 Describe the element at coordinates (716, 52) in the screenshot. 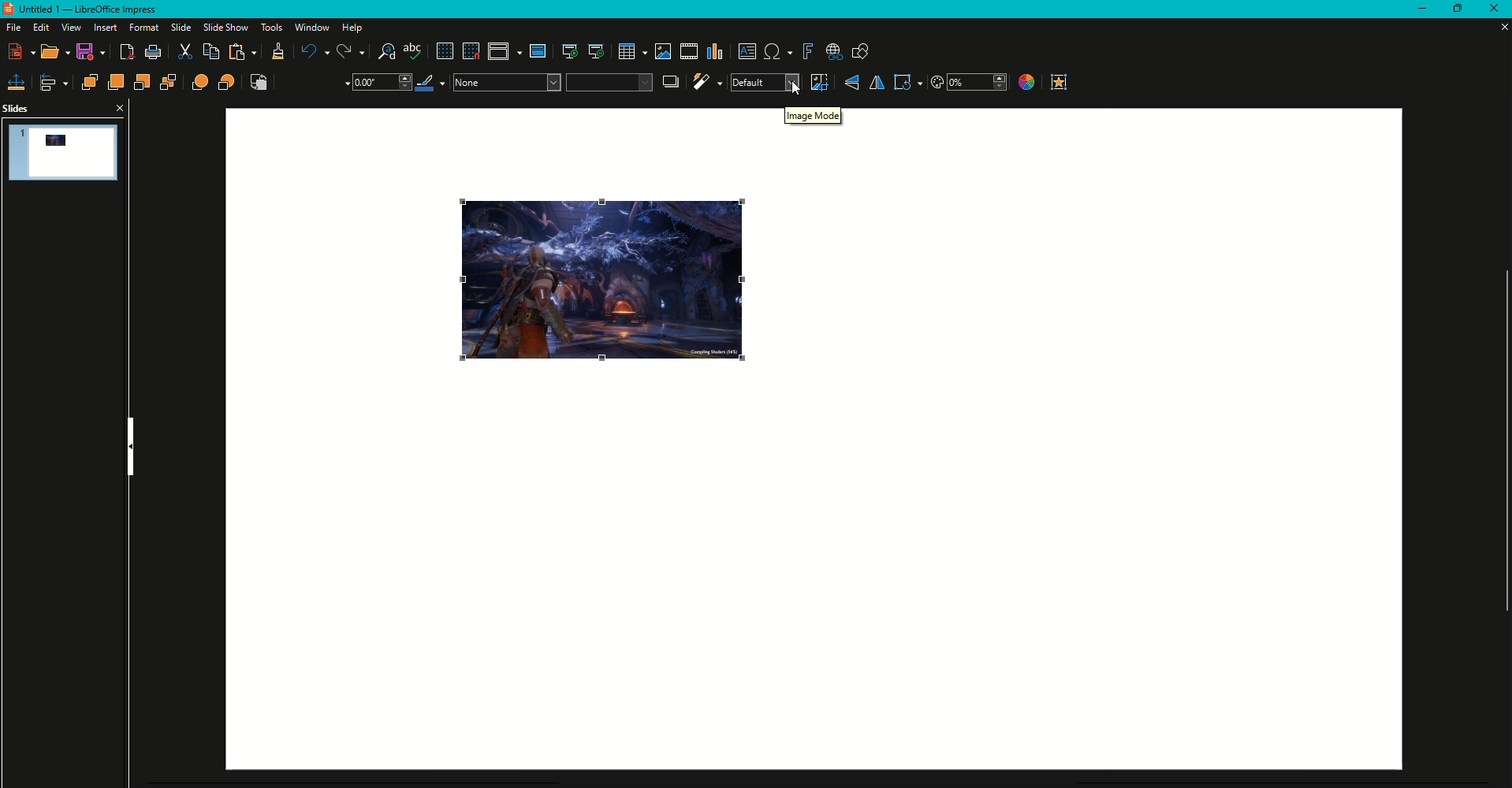

I see `Chart` at that location.